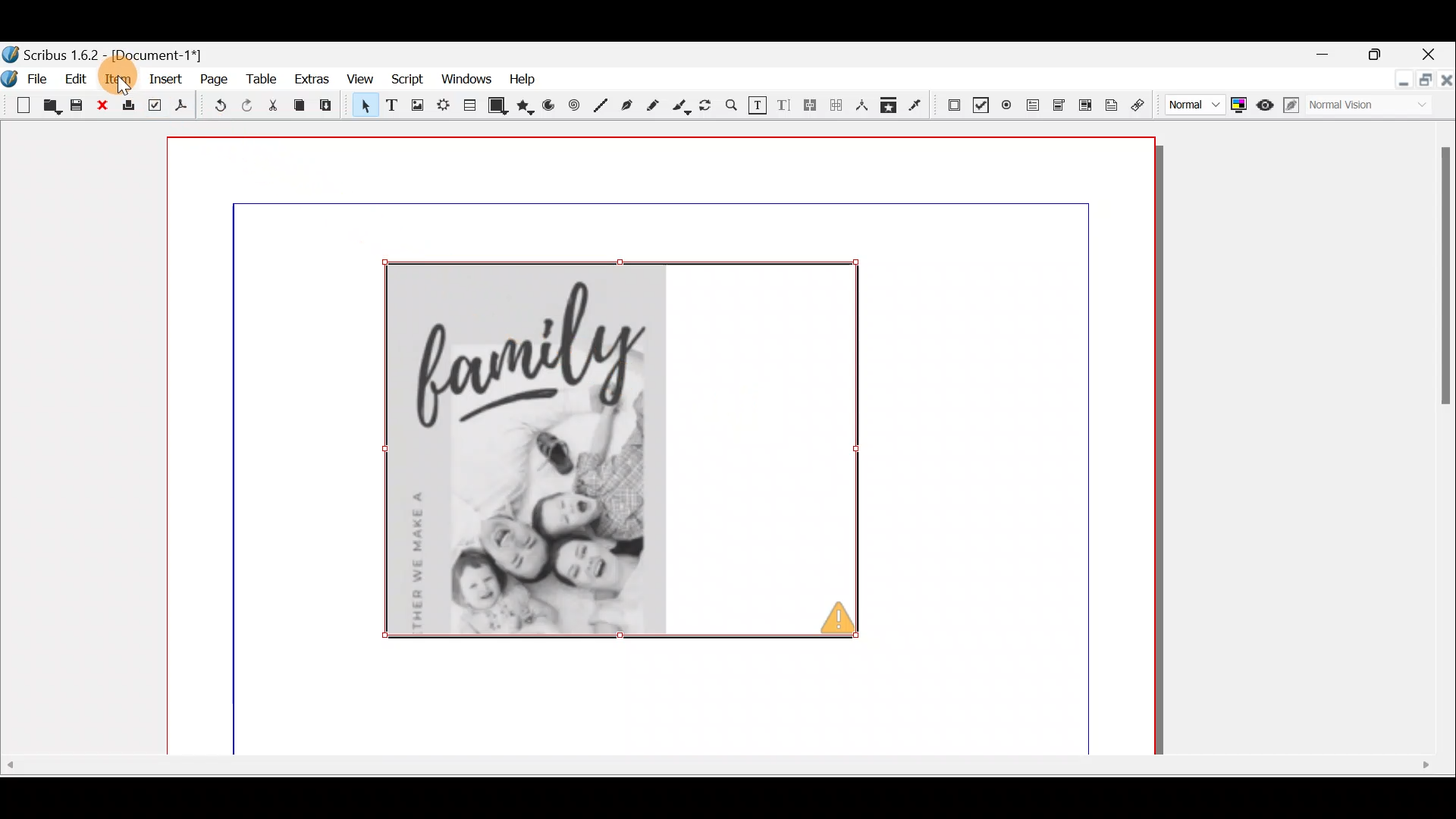  I want to click on Eye dropper, so click(918, 106).